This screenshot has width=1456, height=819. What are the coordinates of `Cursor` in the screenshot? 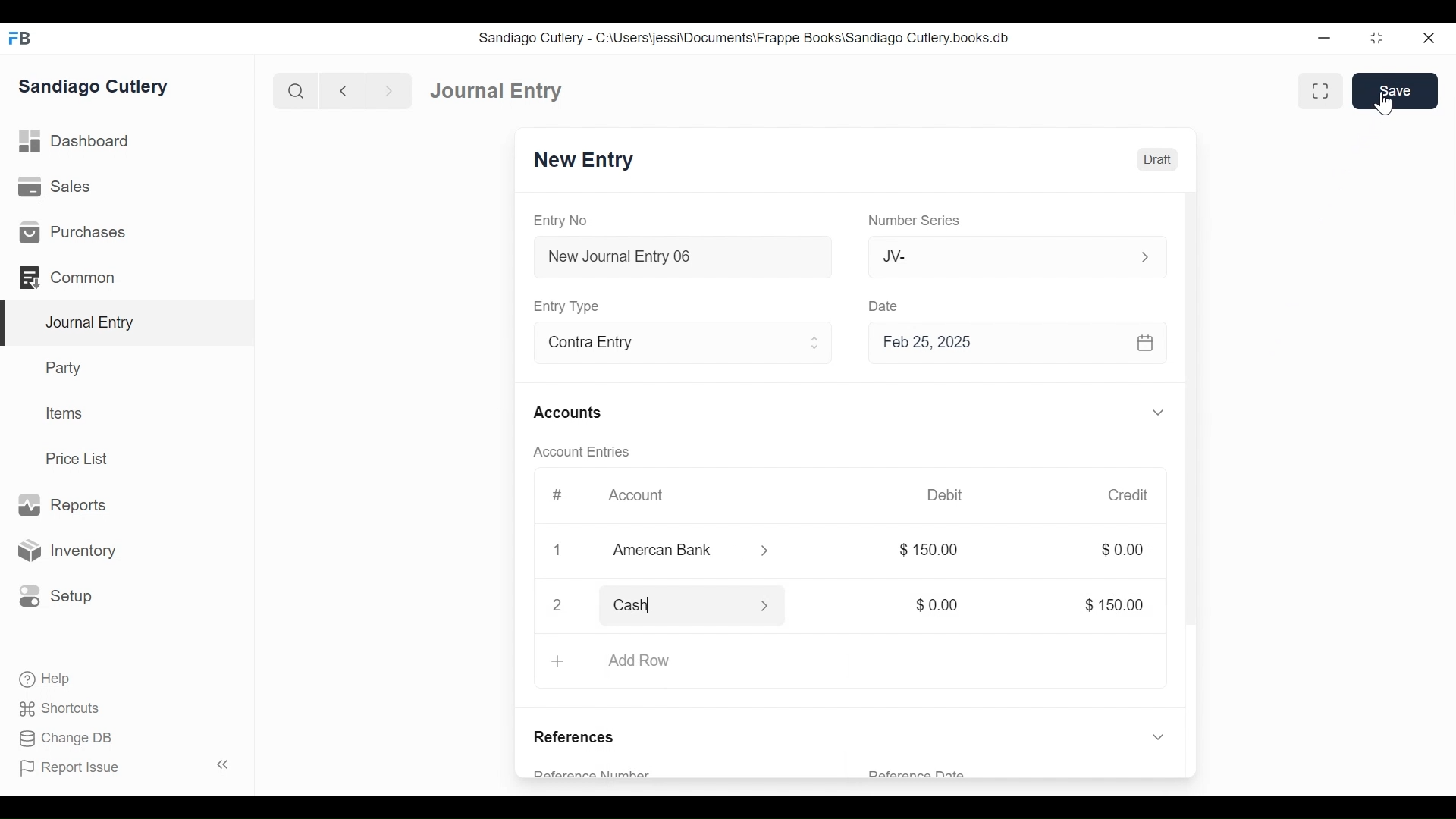 It's located at (1385, 103).